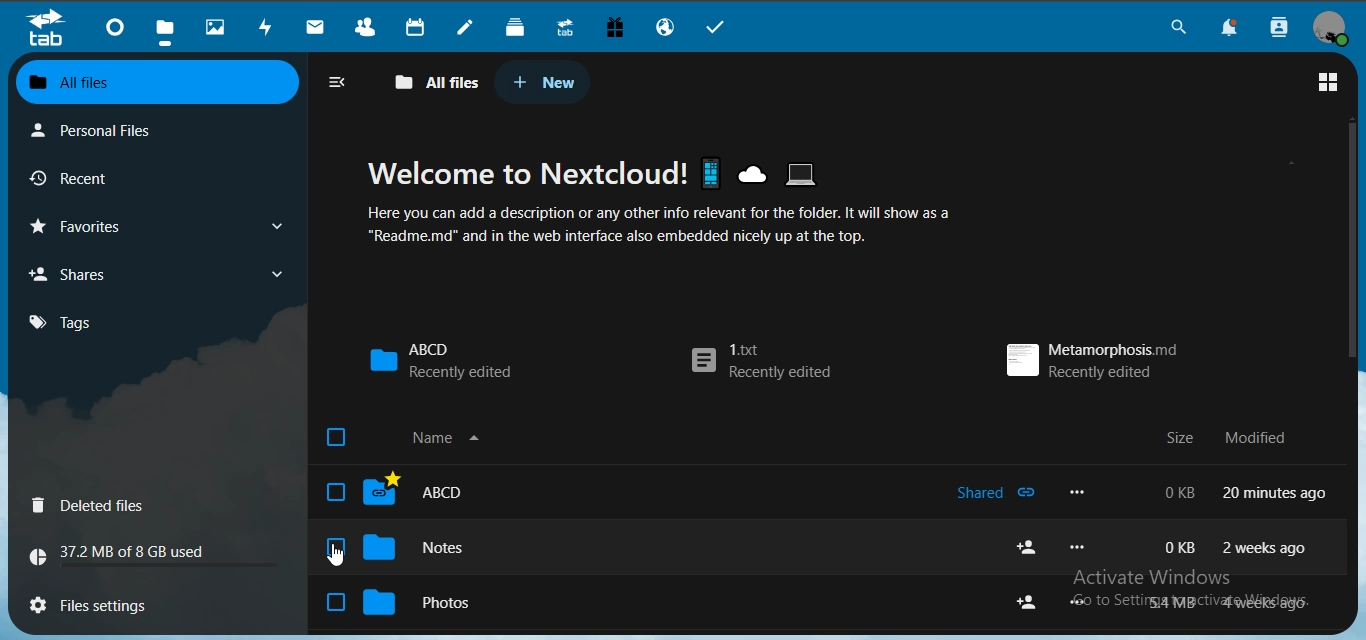 This screenshot has height=640, width=1366. What do you see at coordinates (485, 495) in the screenshot?
I see `ABCD` at bounding box center [485, 495].